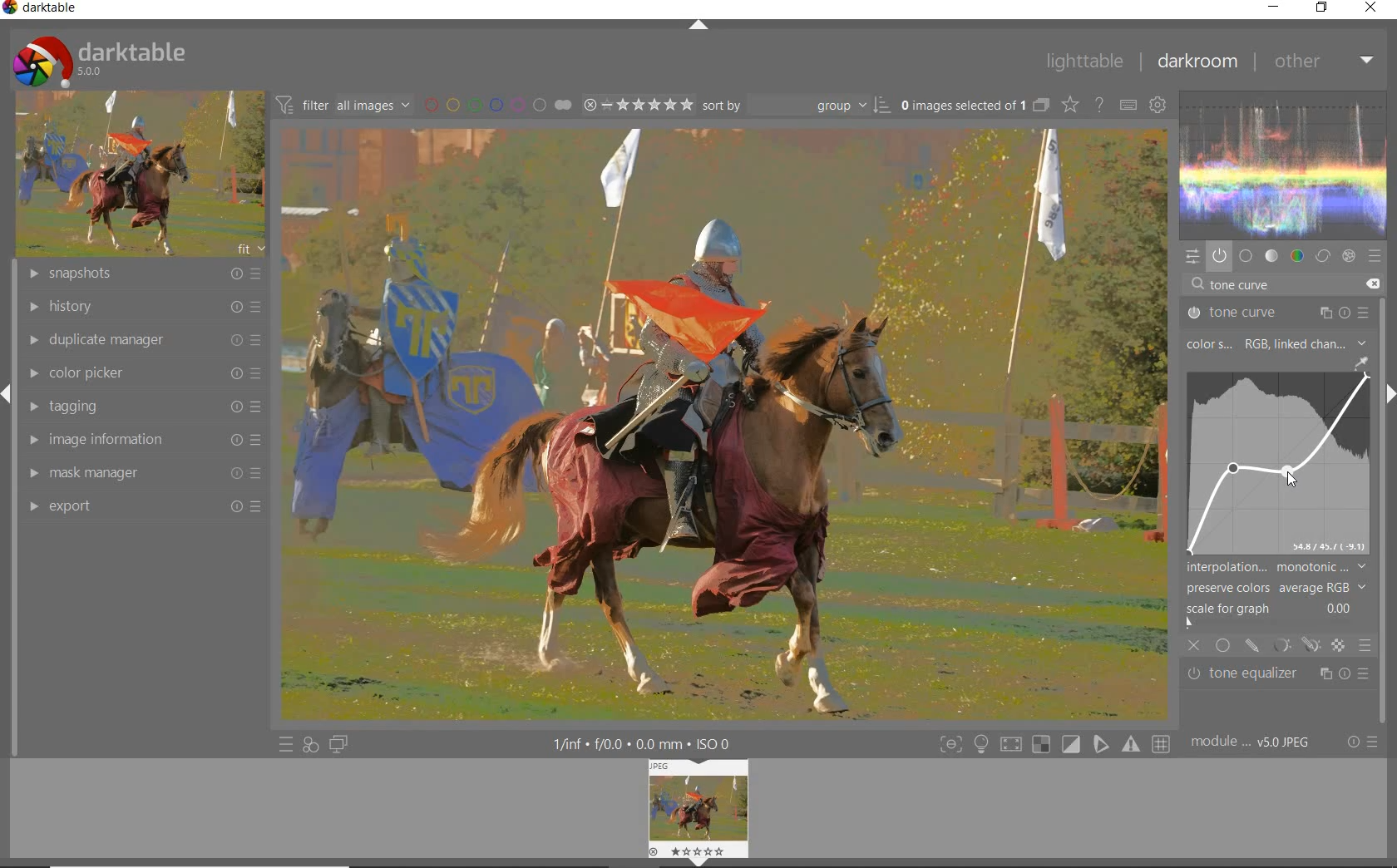  What do you see at coordinates (1372, 8) in the screenshot?
I see `close` at bounding box center [1372, 8].